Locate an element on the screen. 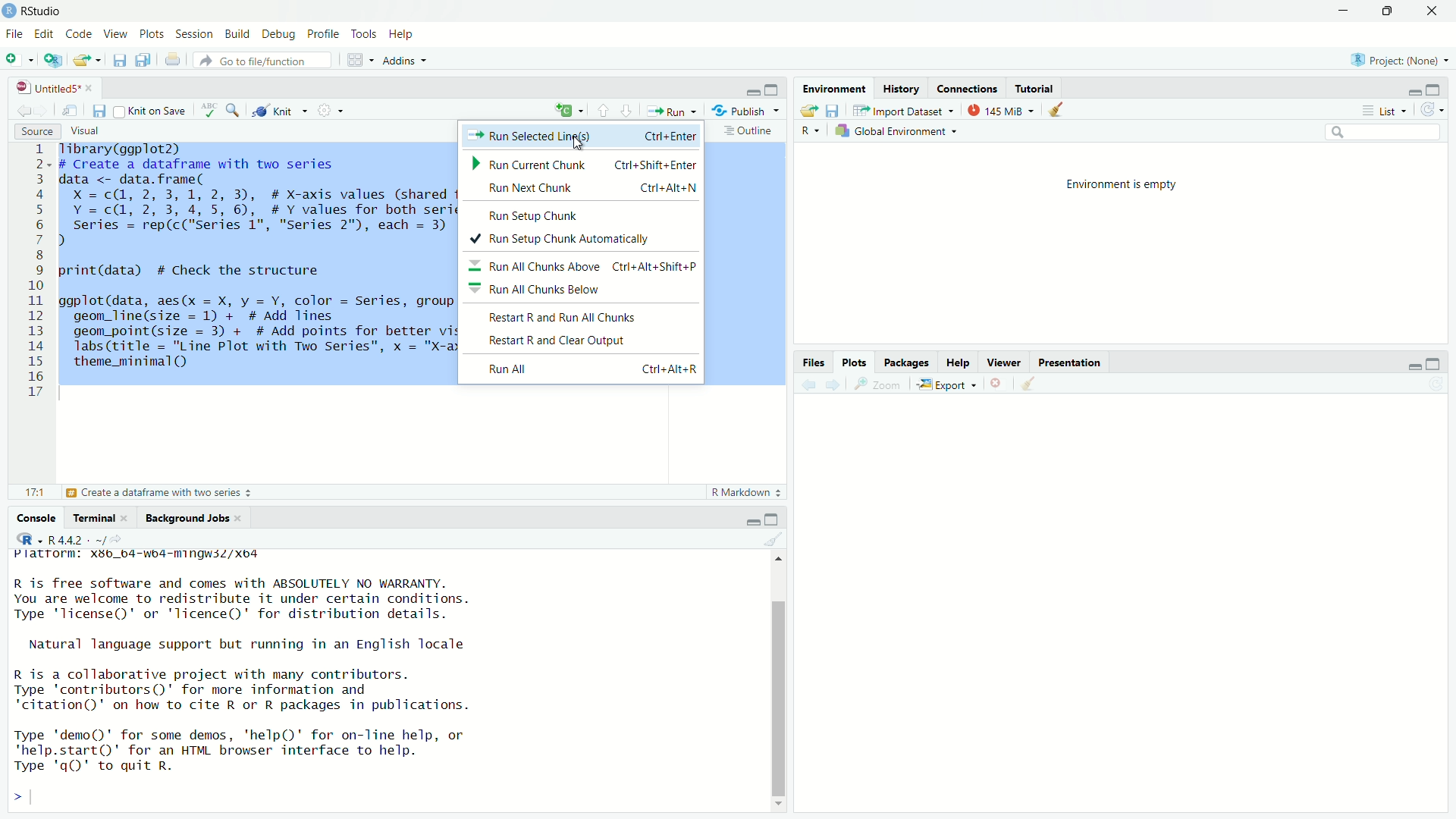 Image resolution: width=1456 pixels, height=819 pixels. Files is located at coordinates (813, 364).